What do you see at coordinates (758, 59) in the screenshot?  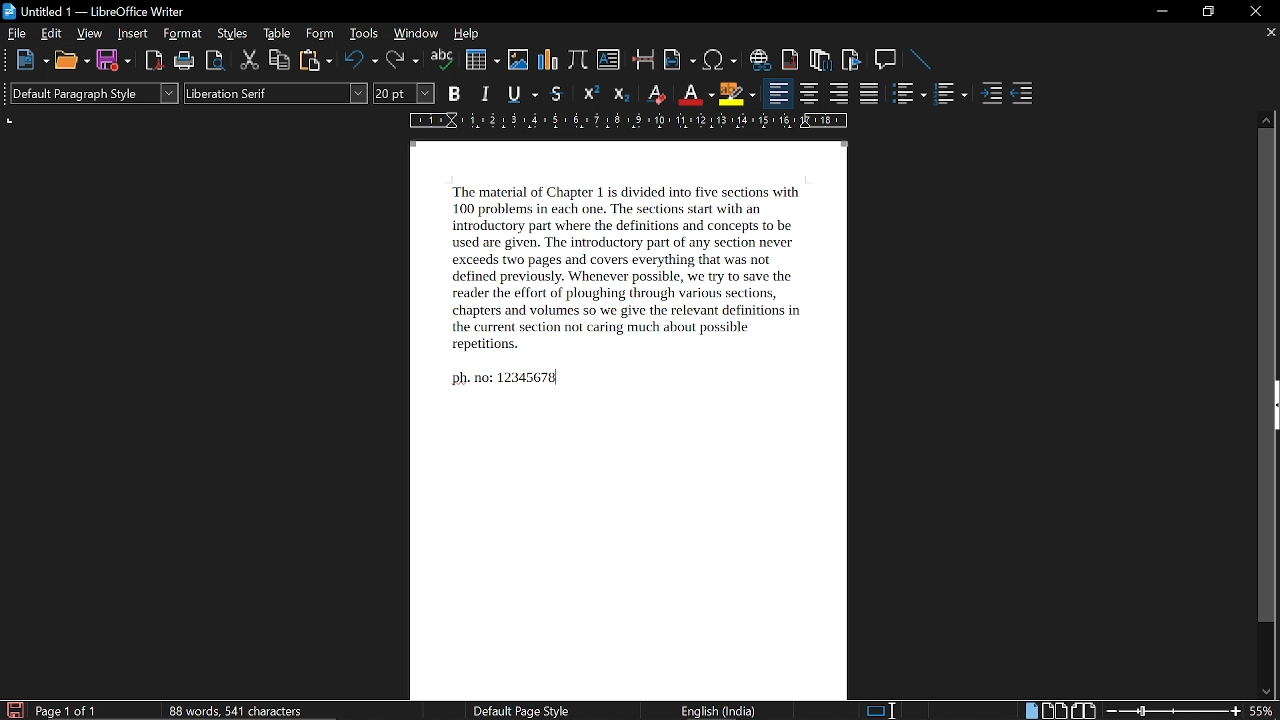 I see `insert hyperlink` at bounding box center [758, 59].